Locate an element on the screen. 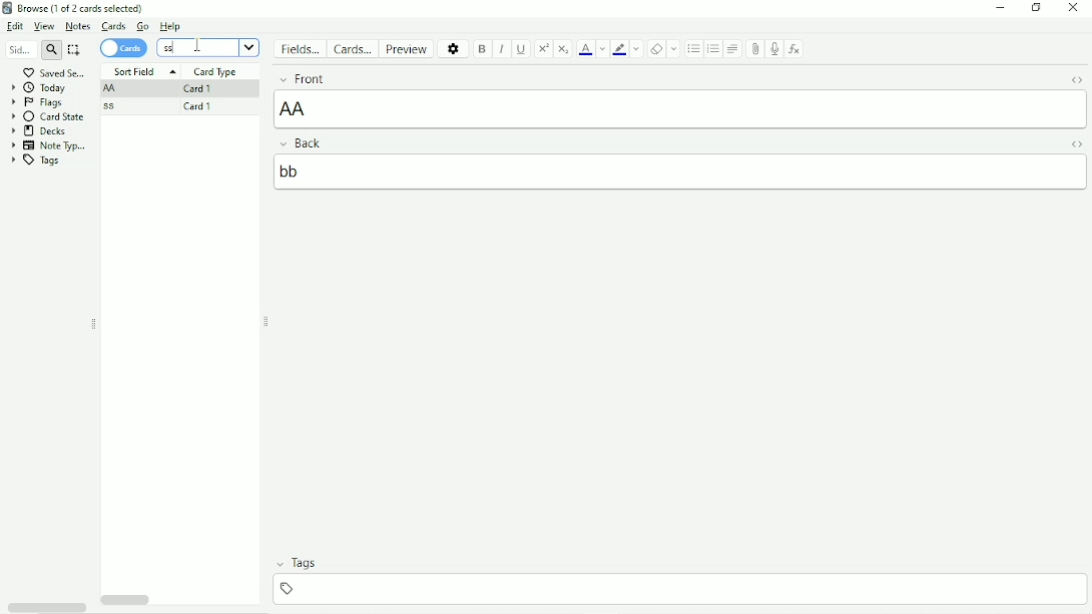  Attach picture/audio/video is located at coordinates (755, 48).